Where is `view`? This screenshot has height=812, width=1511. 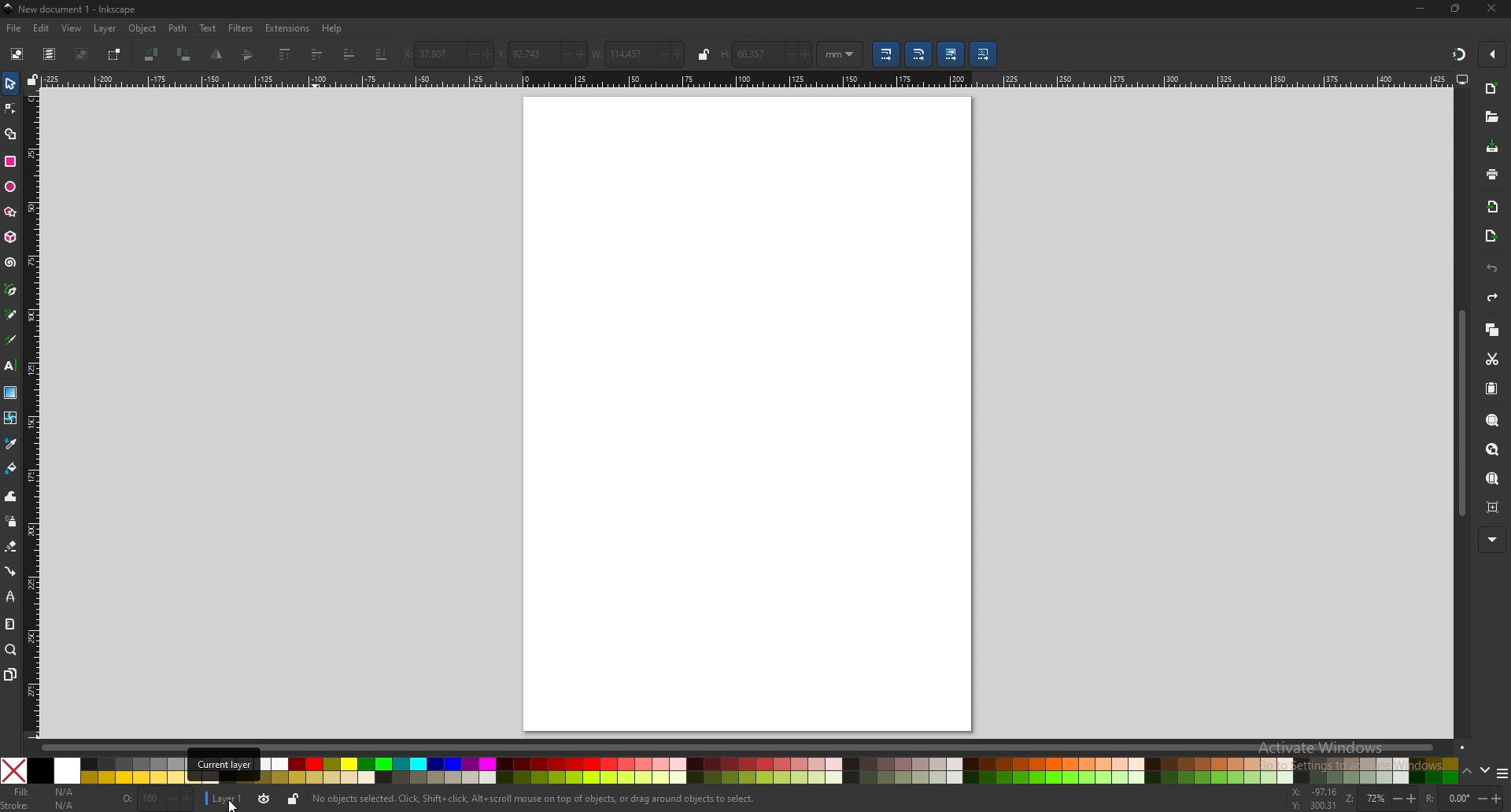
view is located at coordinates (72, 28).